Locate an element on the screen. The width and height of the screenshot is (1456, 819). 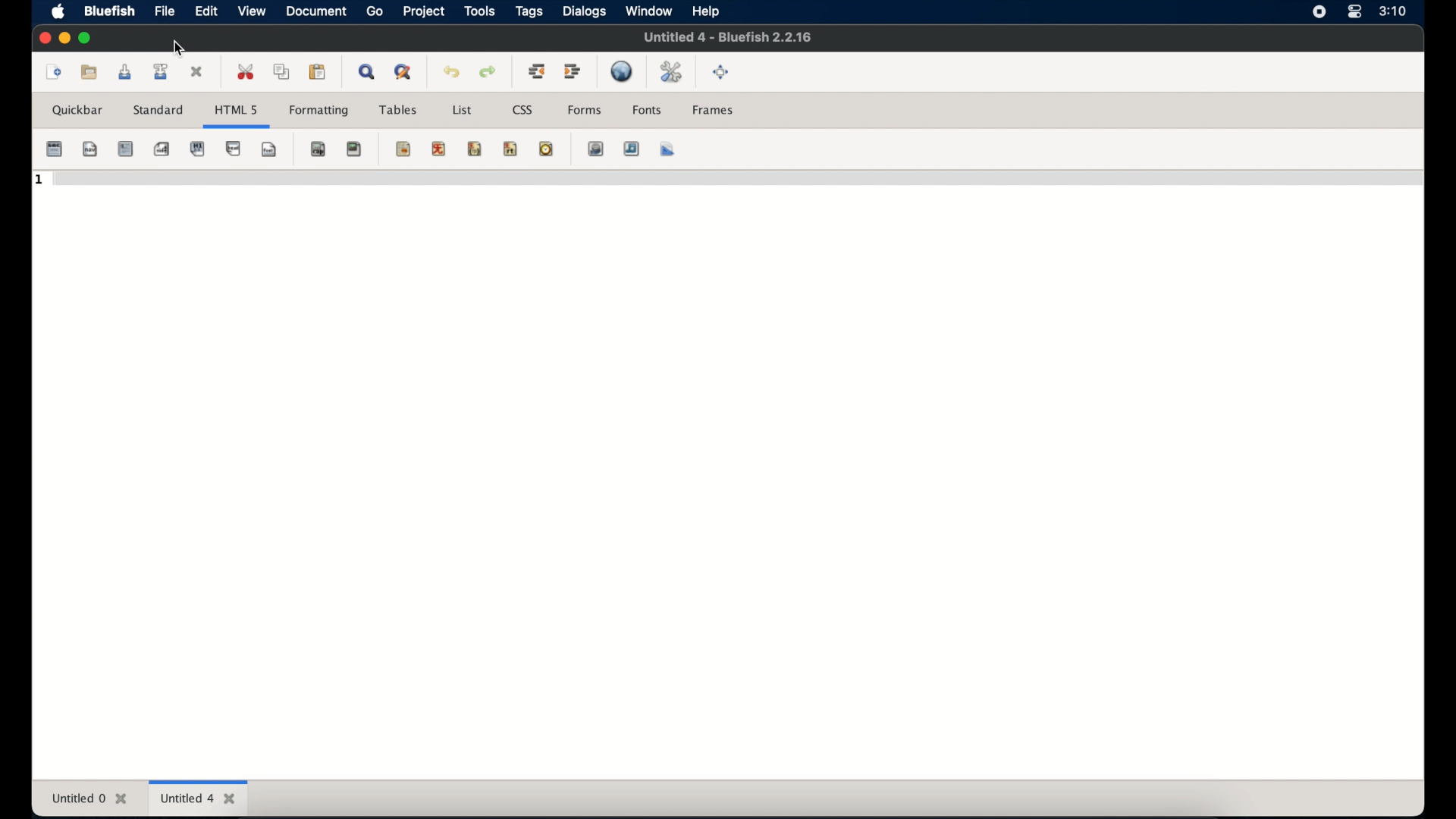
redo is located at coordinates (488, 72).